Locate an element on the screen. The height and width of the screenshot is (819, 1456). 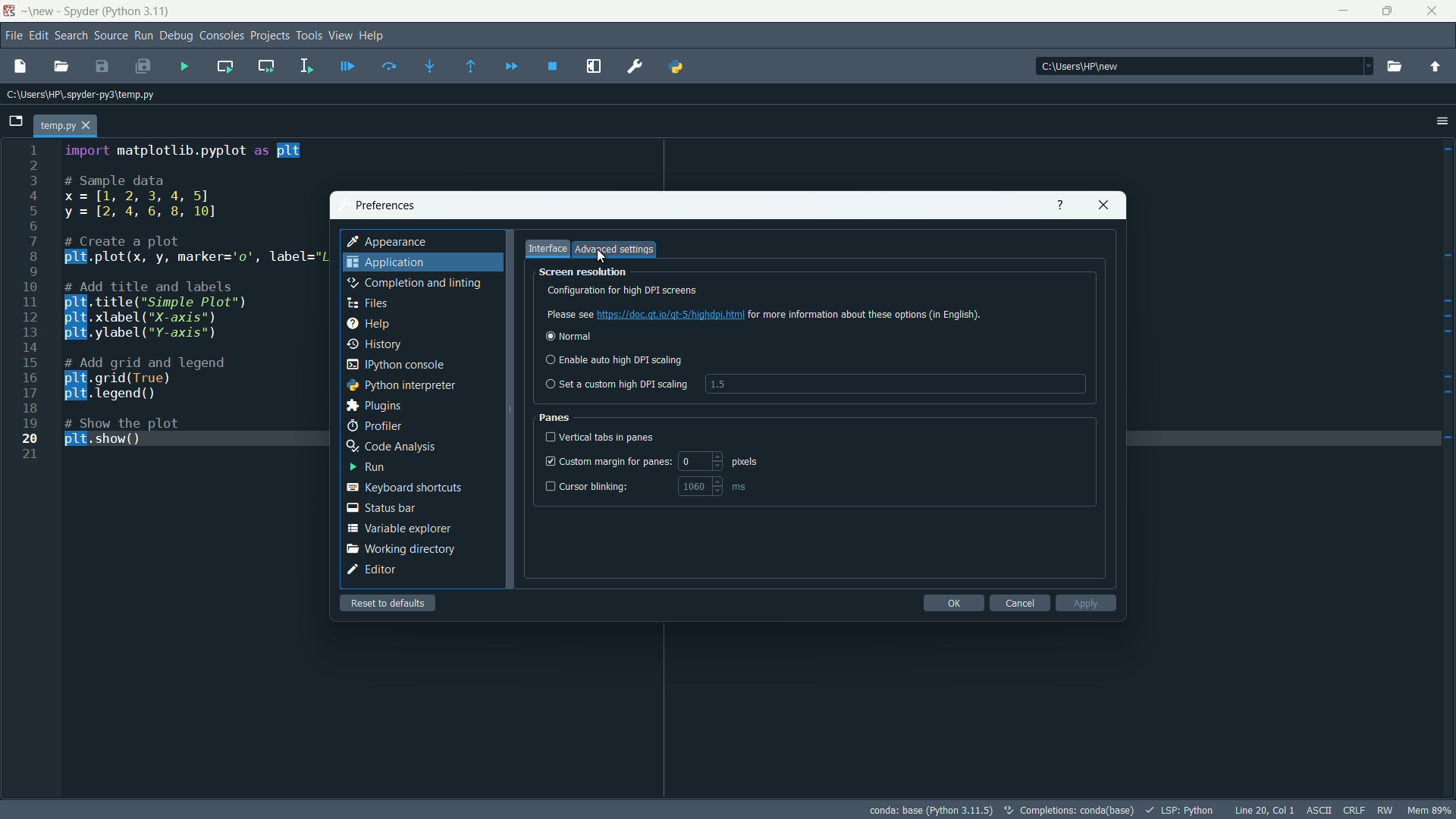
directory is located at coordinates (1203, 65).